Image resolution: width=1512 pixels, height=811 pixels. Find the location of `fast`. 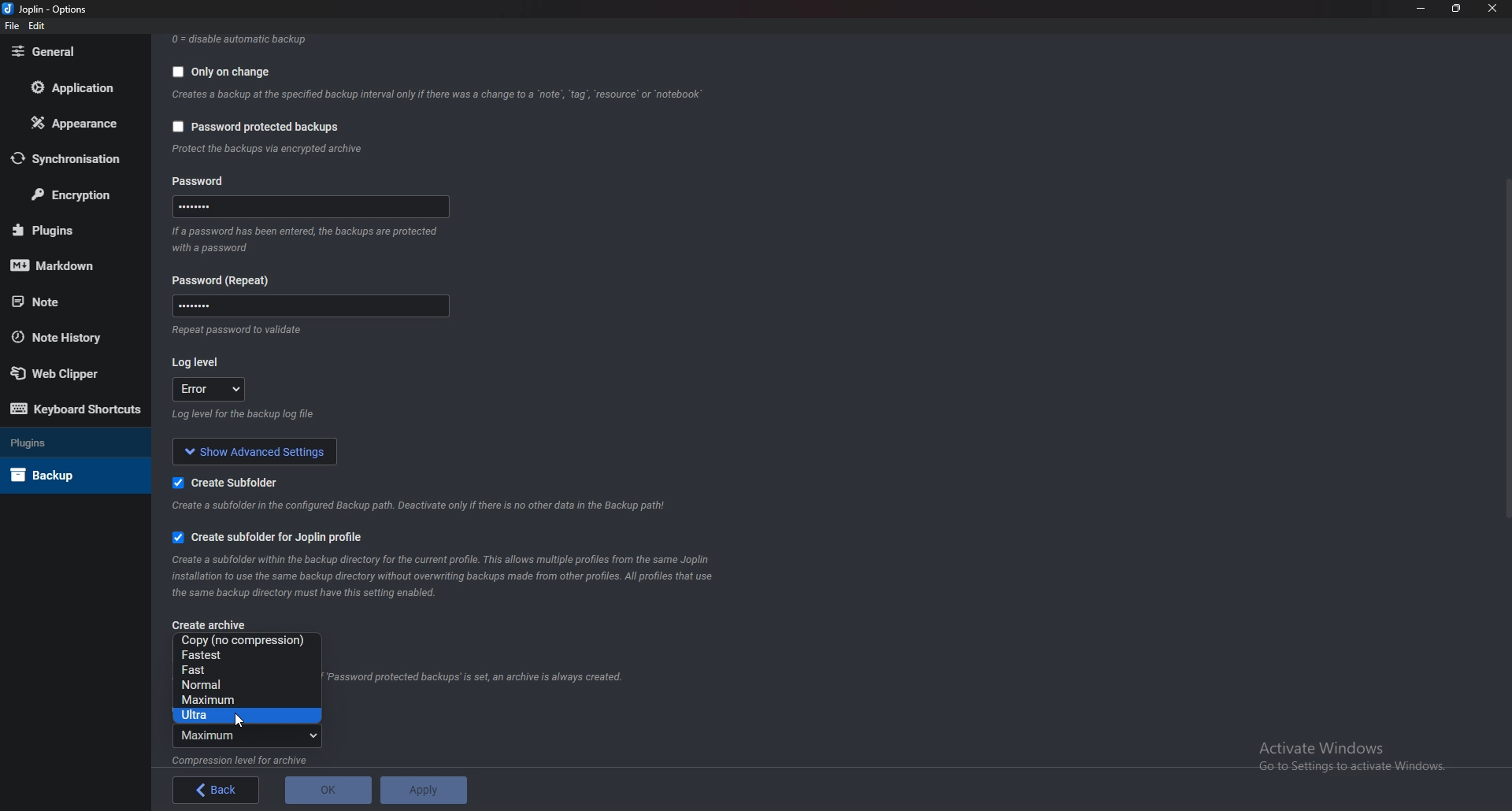

fast is located at coordinates (245, 669).